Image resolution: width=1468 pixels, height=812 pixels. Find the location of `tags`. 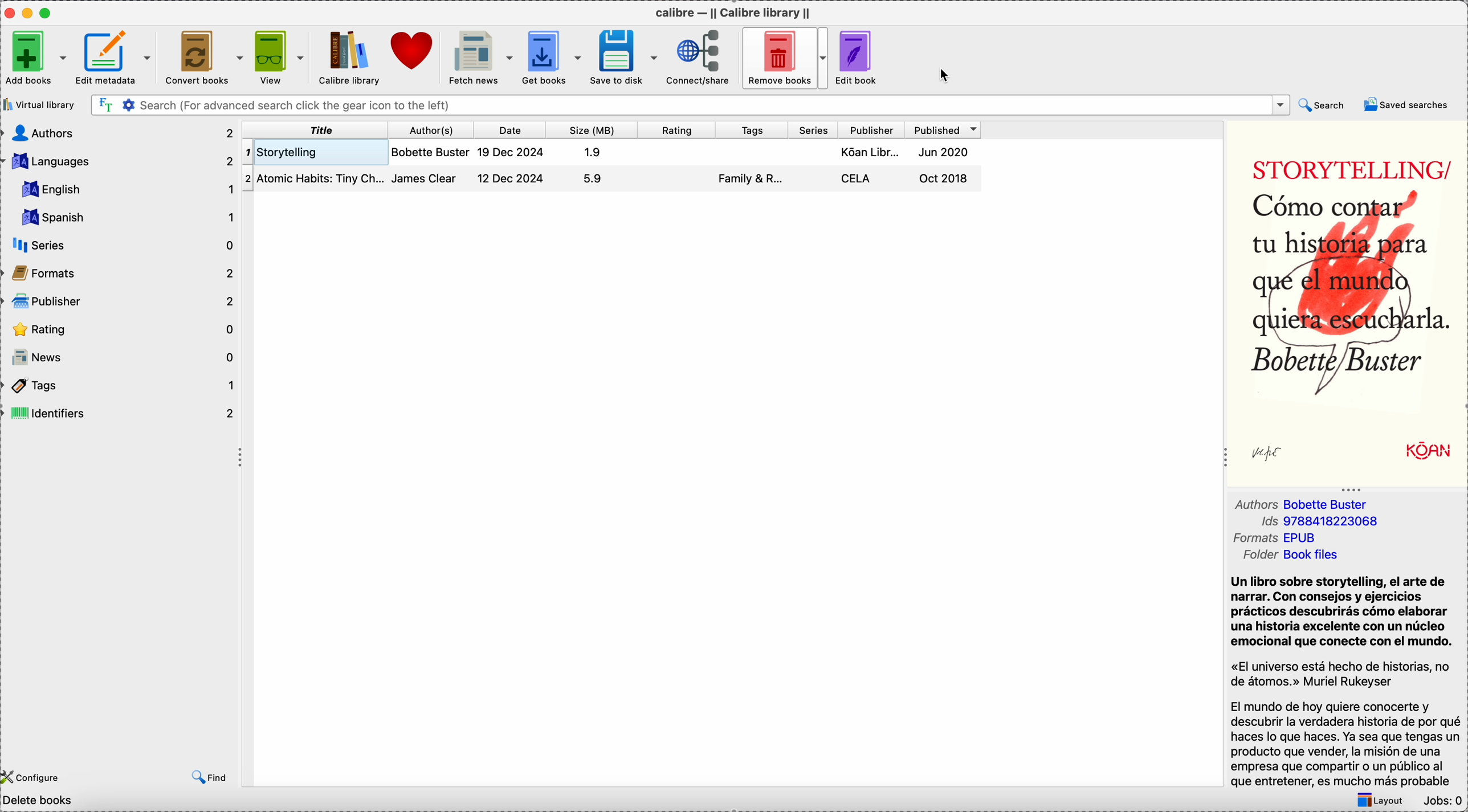

tags is located at coordinates (121, 386).